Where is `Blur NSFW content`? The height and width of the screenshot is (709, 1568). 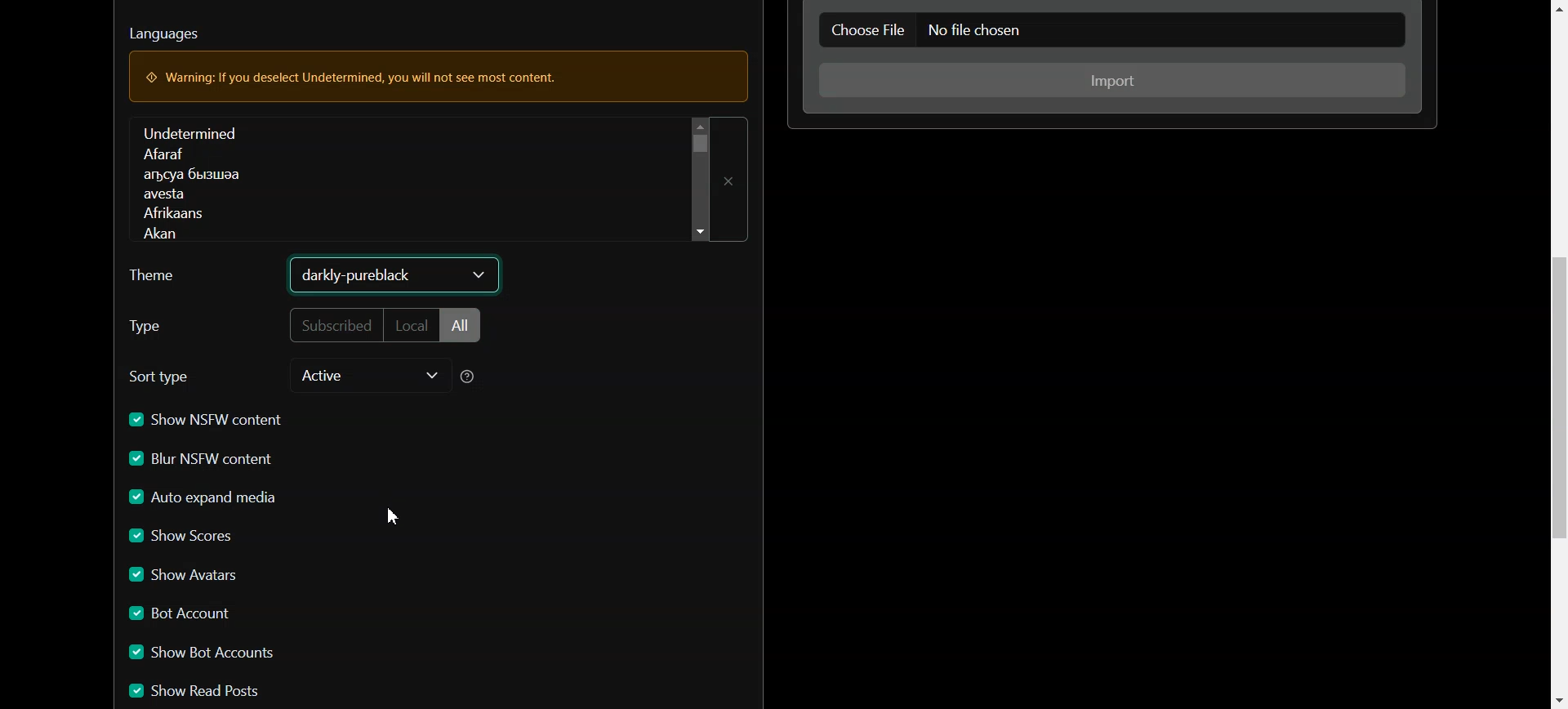 Blur NSFW content is located at coordinates (204, 461).